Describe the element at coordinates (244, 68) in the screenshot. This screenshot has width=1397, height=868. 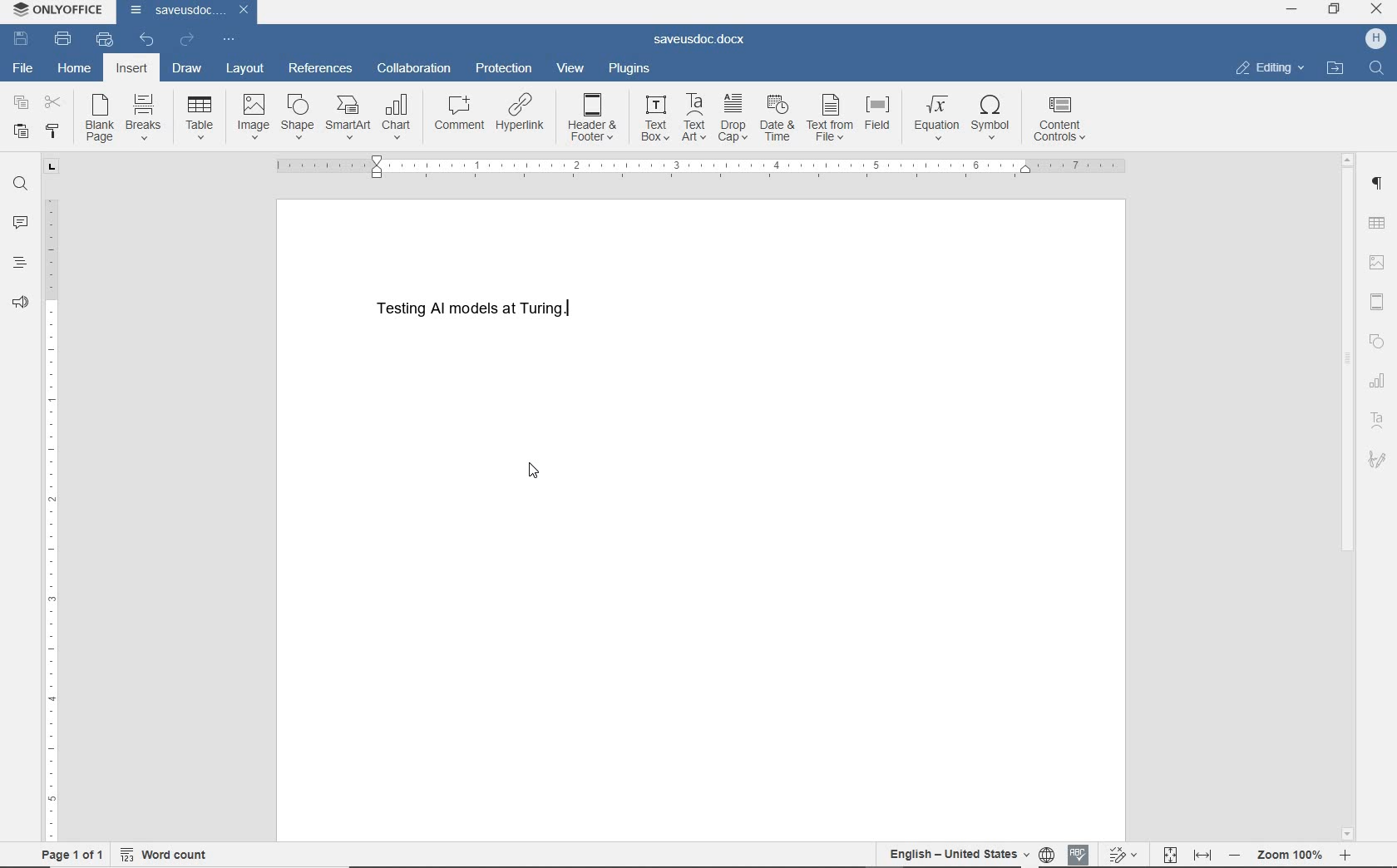
I see `layout` at that location.